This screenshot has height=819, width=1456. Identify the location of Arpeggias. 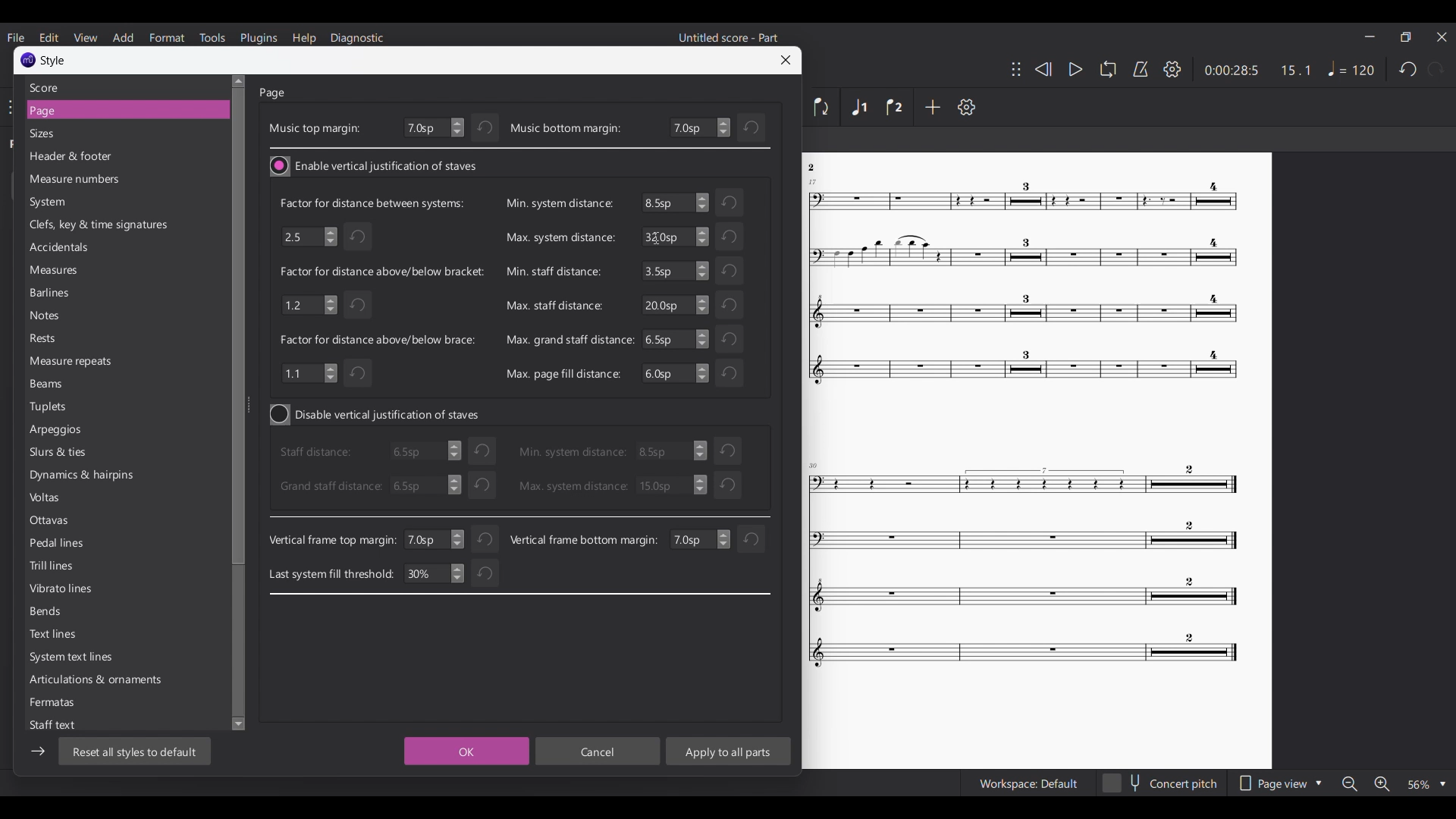
(71, 430).